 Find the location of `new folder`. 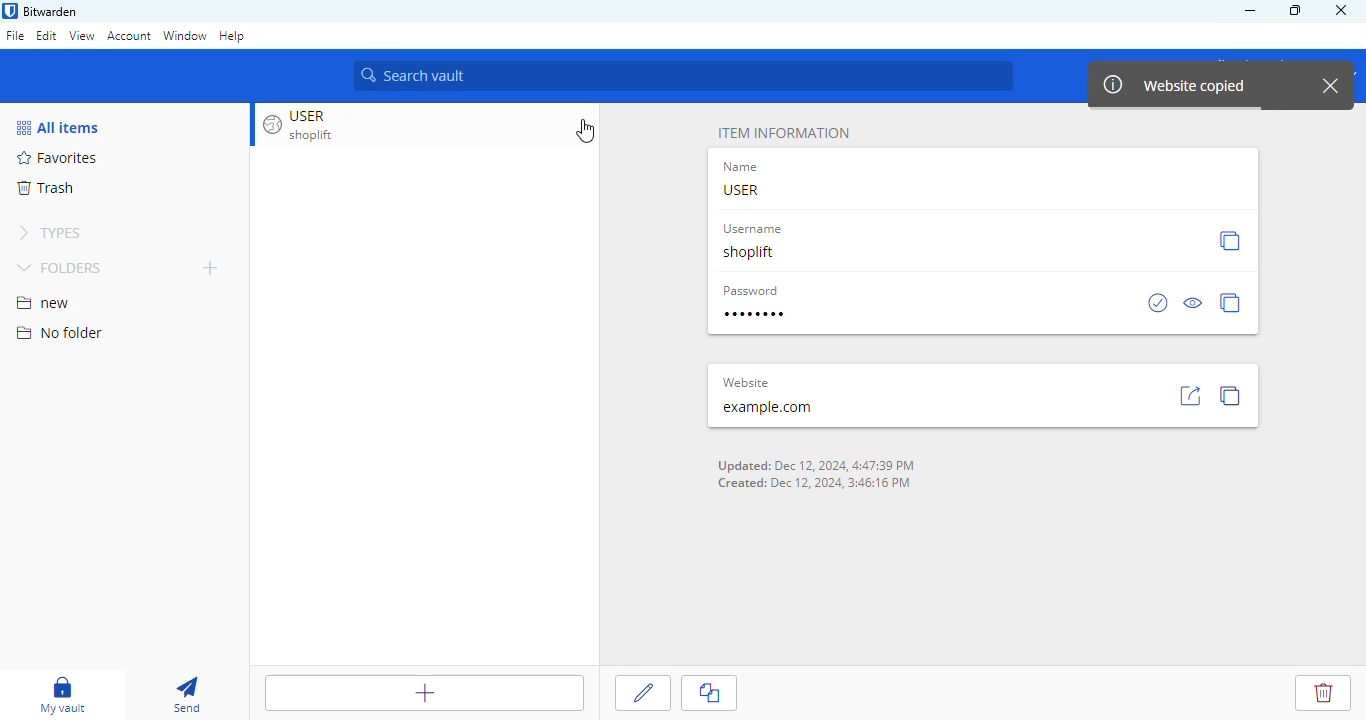

new folder is located at coordinates (209, 268).